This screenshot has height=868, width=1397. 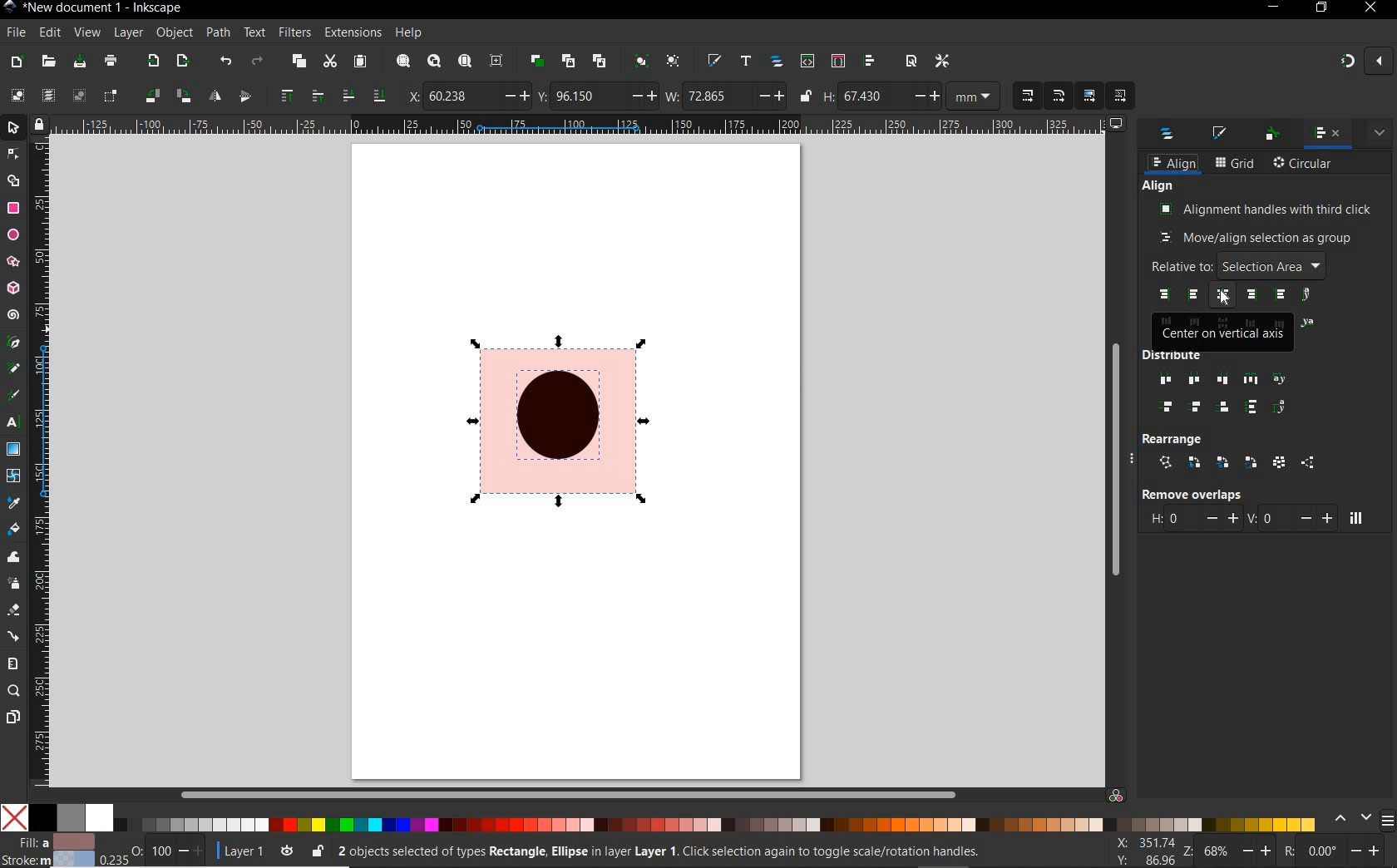 What do you see at coordinates (41, 461) in the screenshot?
I see `ruler` at bounding box center [41, 461].